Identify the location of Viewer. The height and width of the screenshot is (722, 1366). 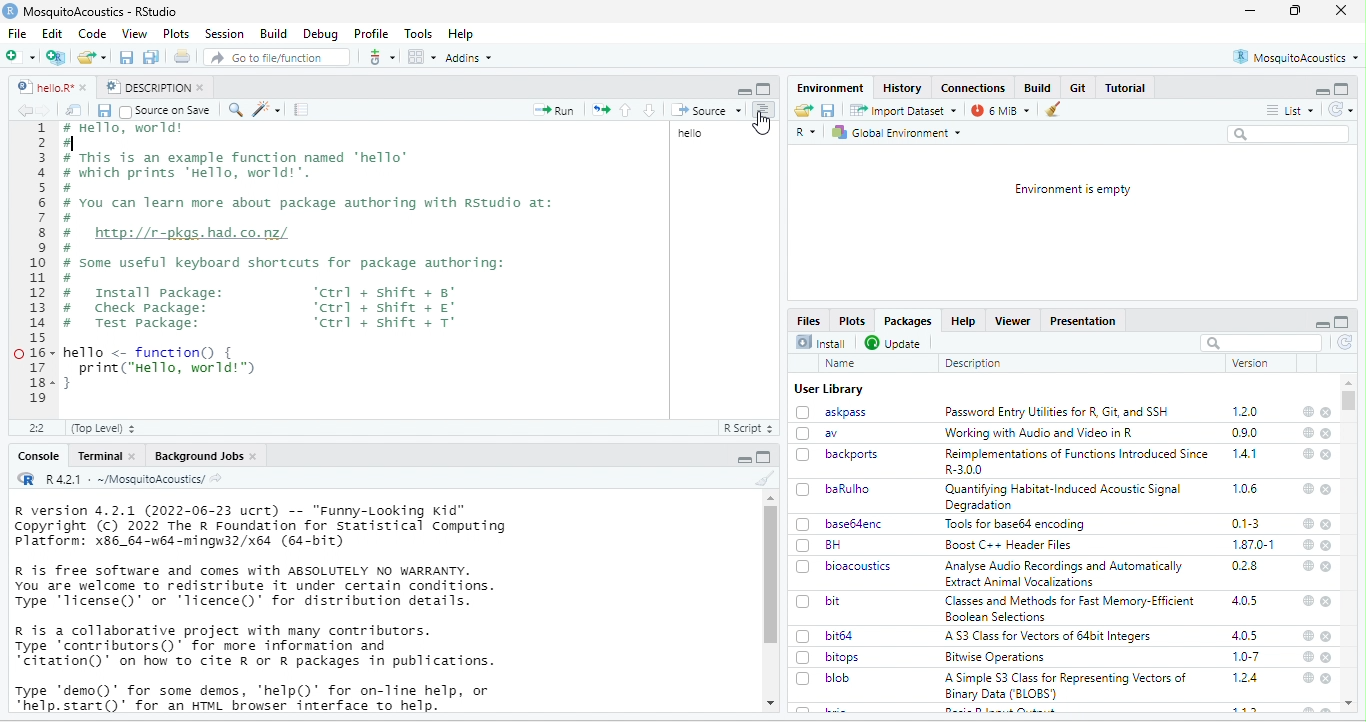
(1015, 321).